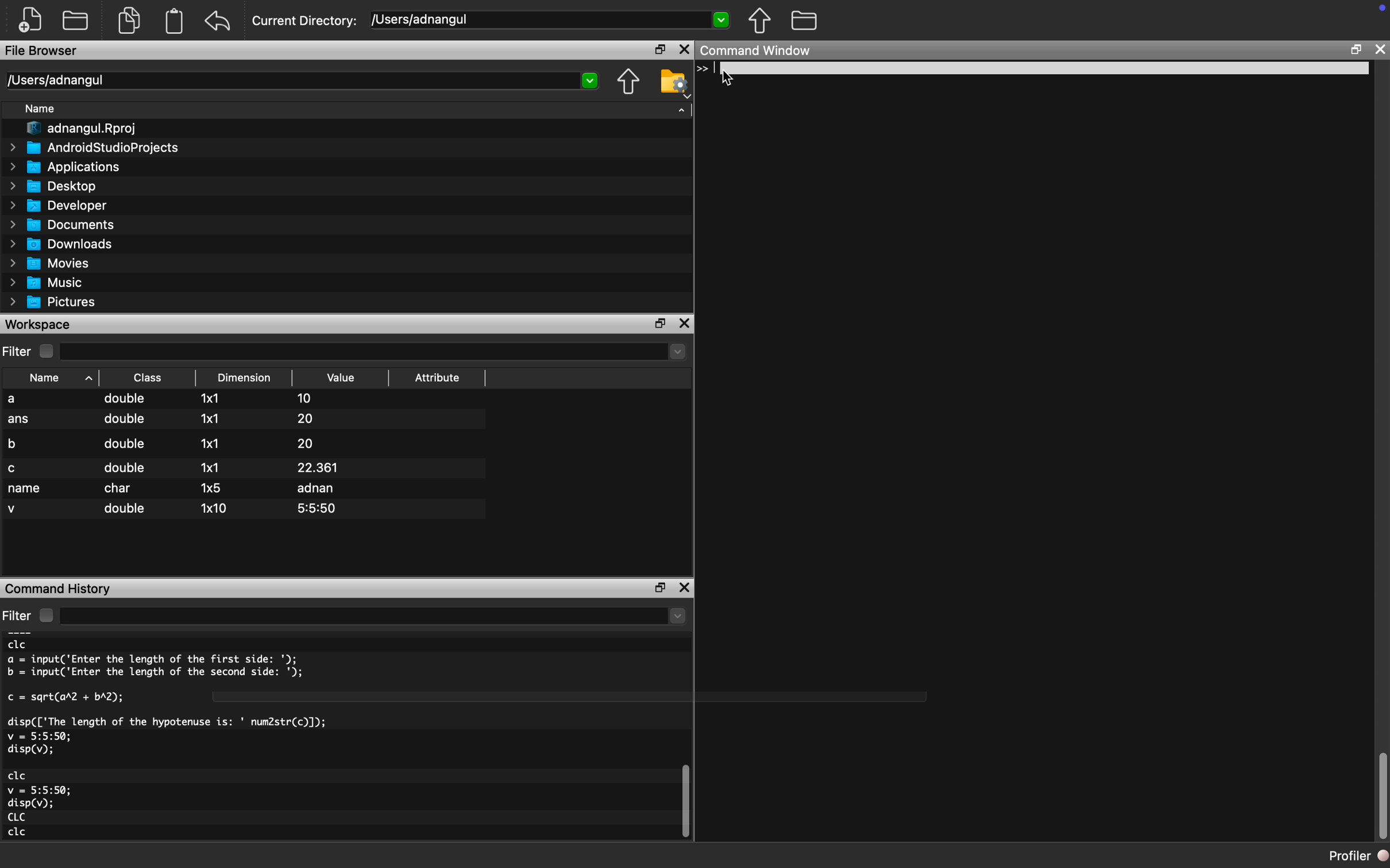 This screenshot has width=1390, height=868. Describe the element at coordinates (46, 283) in the screenshot. I see `> Music` at that location.